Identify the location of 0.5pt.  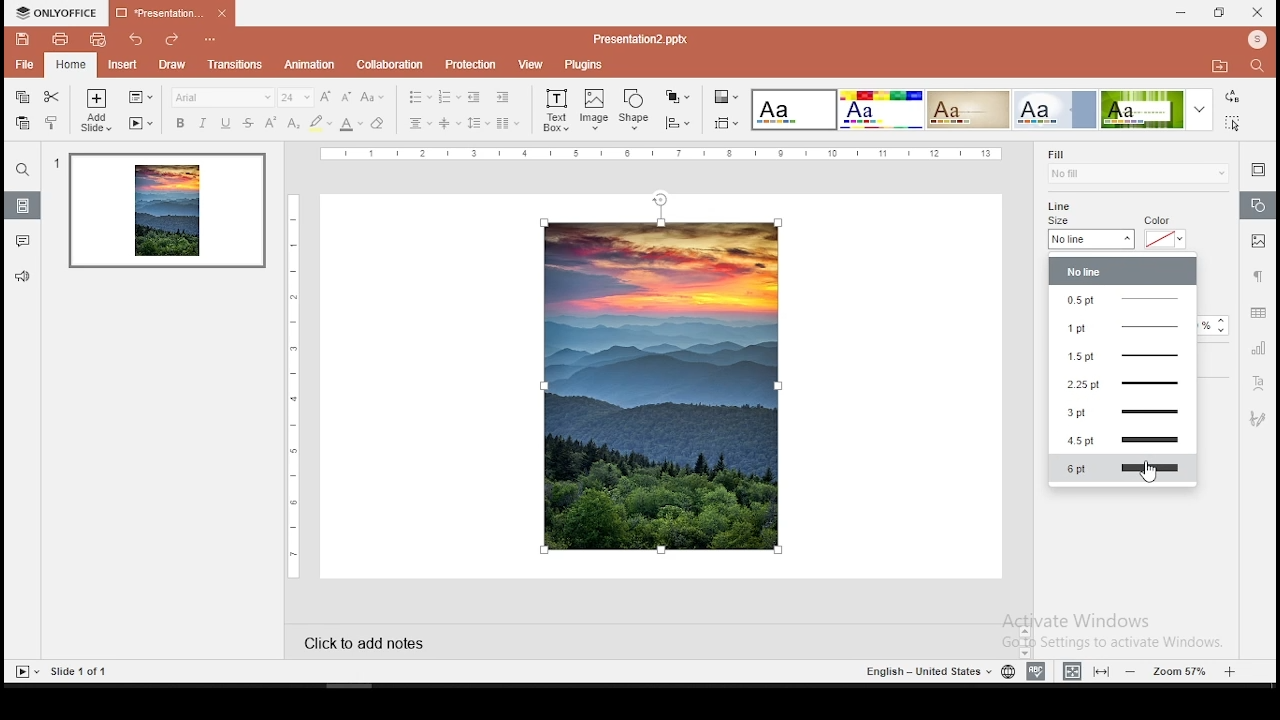
(1123, 299).